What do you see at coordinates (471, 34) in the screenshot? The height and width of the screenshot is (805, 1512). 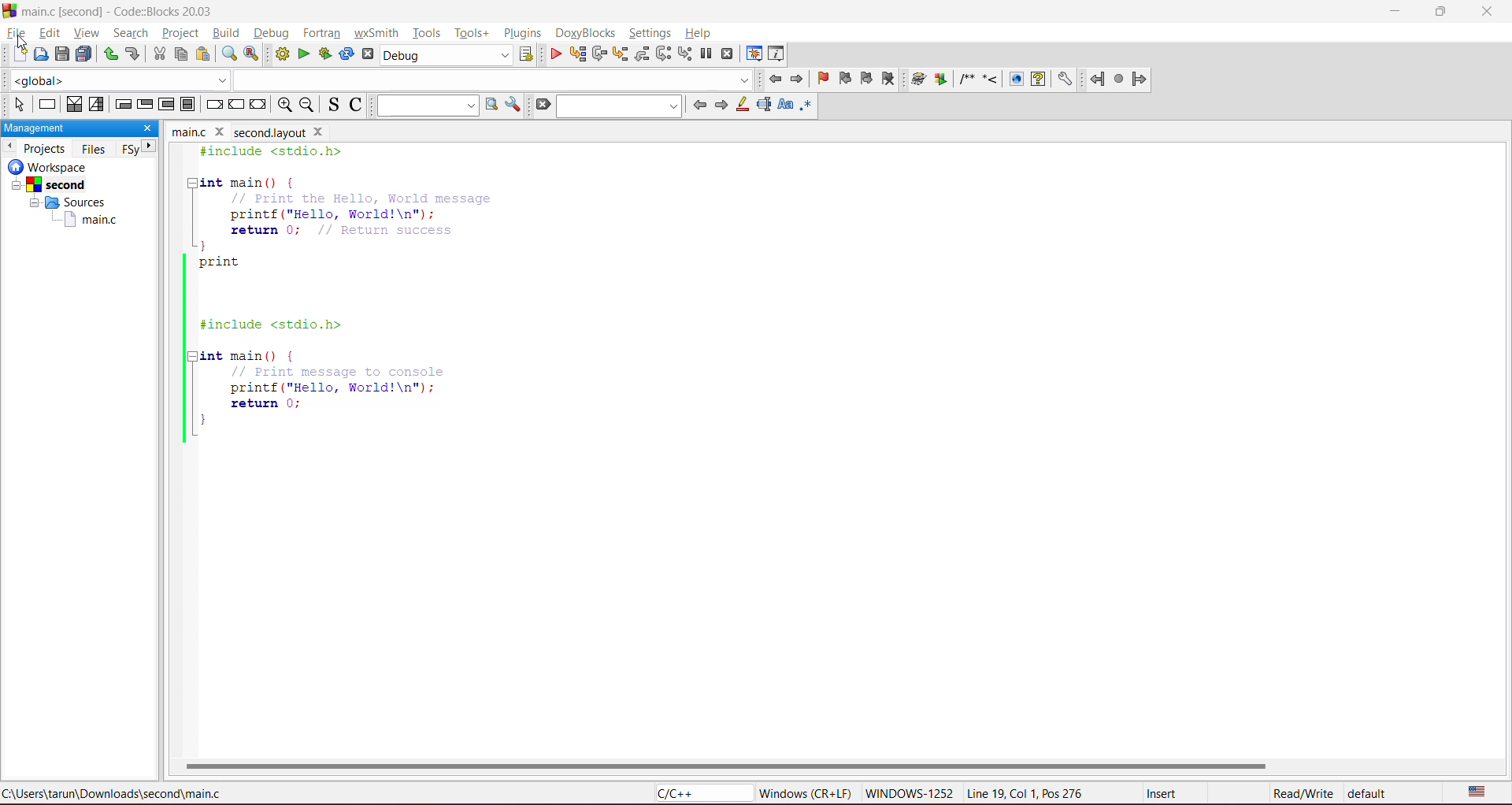 I see `tools+` at bounding box center [471, 34].